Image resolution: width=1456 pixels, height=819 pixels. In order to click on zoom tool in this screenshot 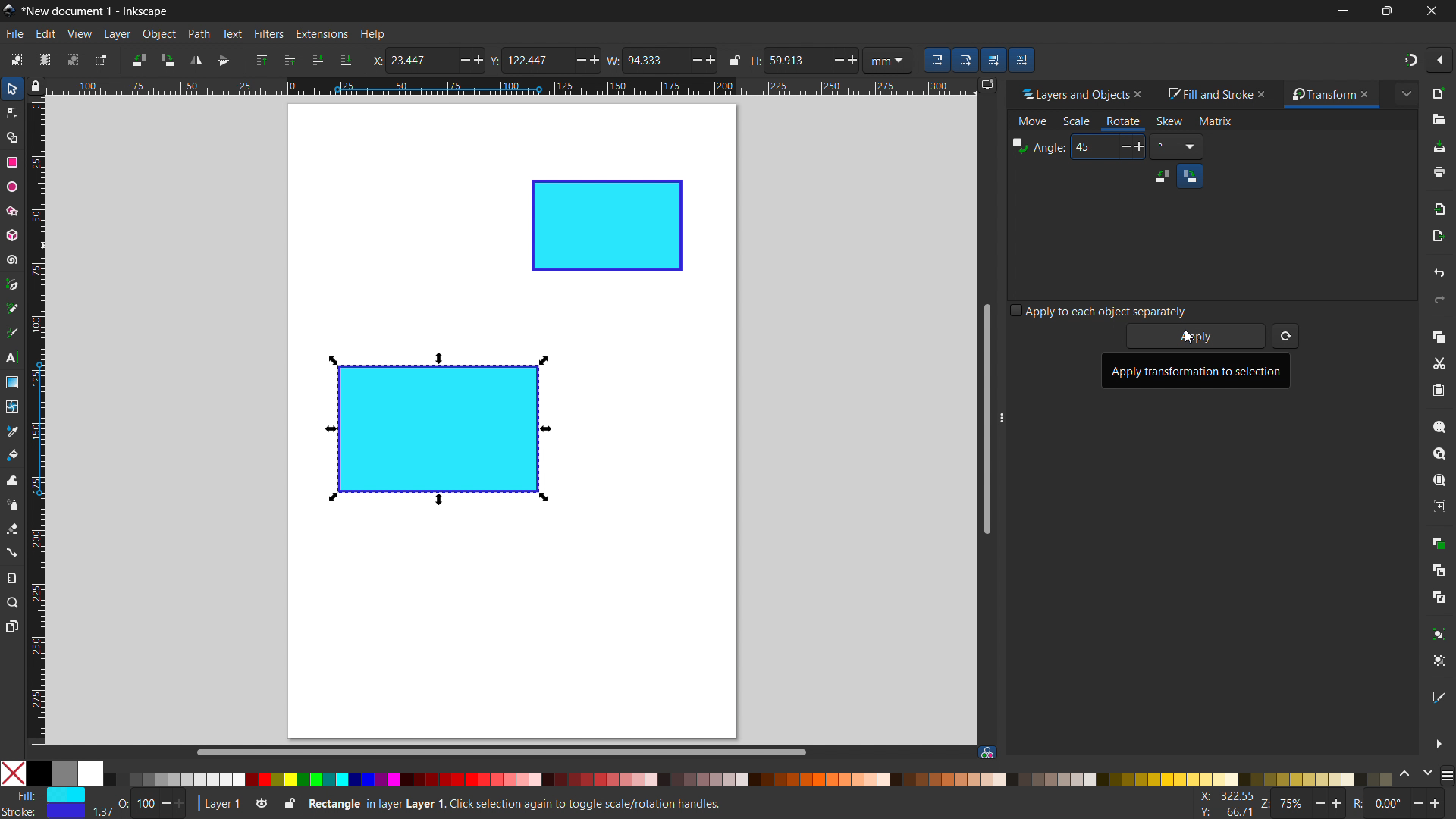, I will do `click(13, 601)`.